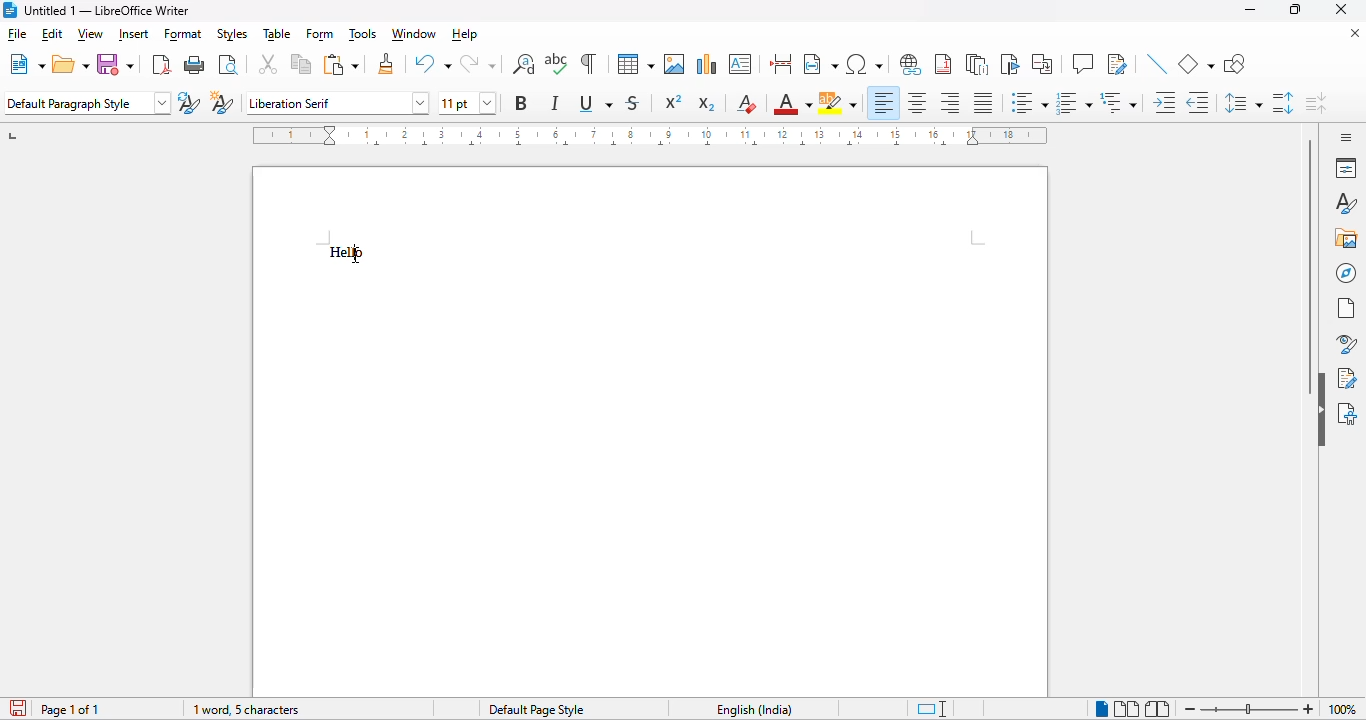 Image resolution: width=1366 pixels, height=720 pixels. I want to click on properties, so click(1346, 168).